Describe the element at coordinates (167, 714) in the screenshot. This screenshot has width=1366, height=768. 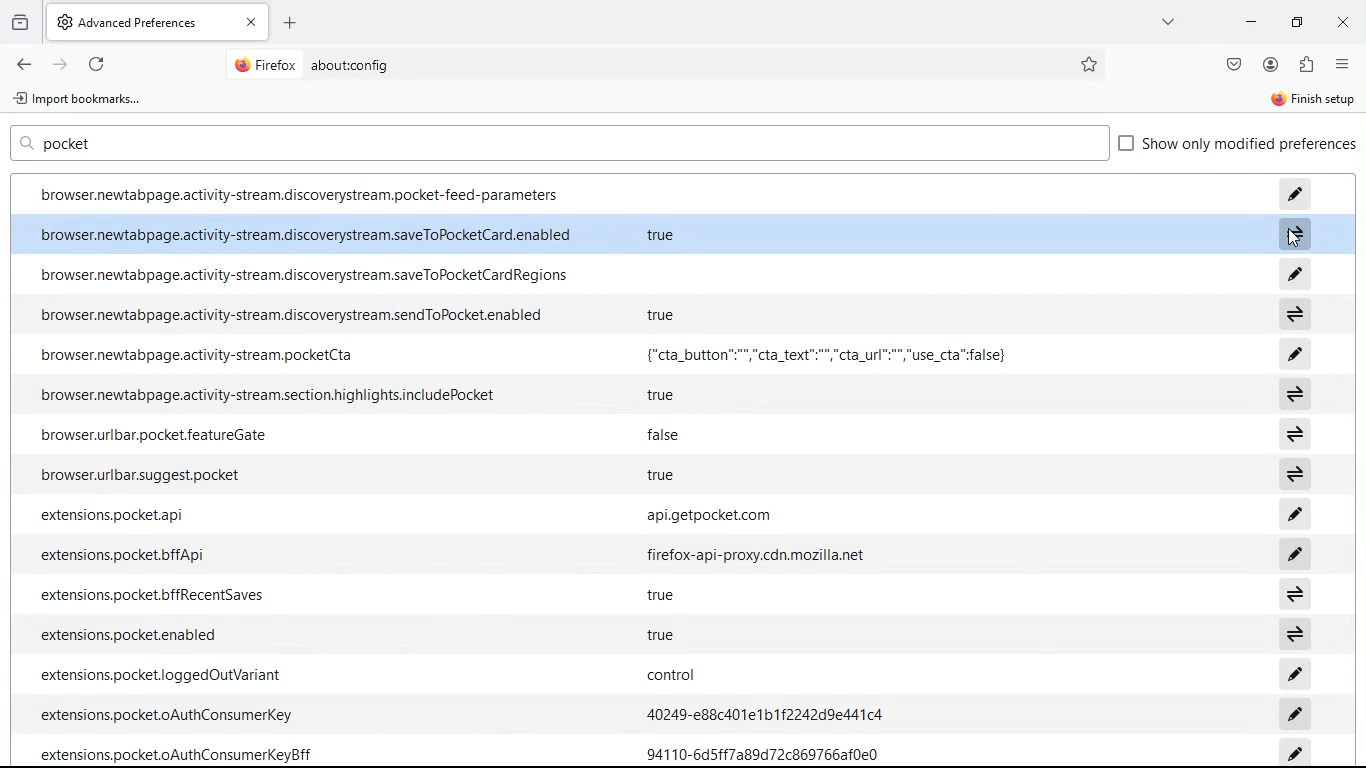
I see `‘extensions.pocket.oAuthConsumerKey` at that location.